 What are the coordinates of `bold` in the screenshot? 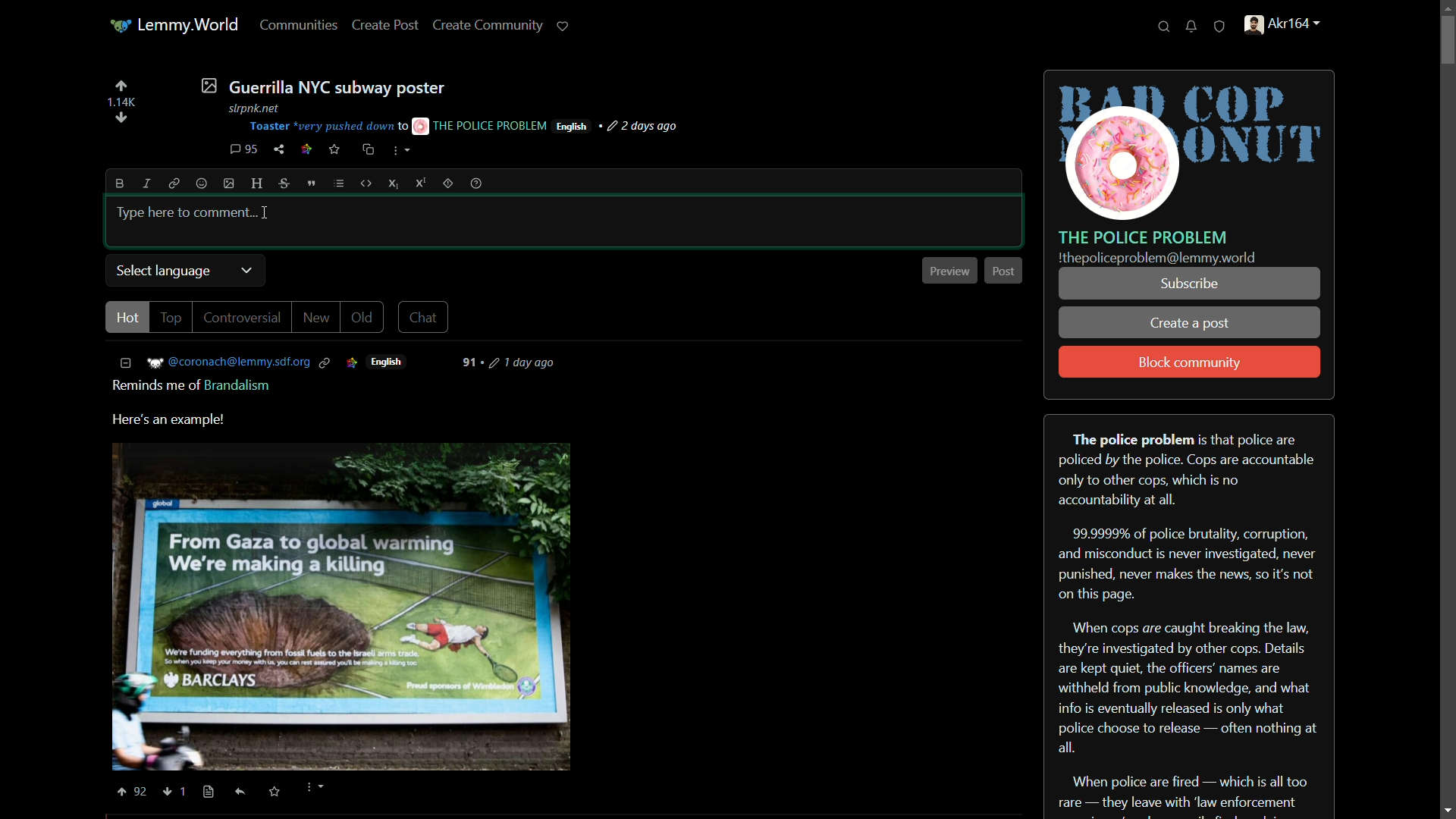 It's located at (121, 184).